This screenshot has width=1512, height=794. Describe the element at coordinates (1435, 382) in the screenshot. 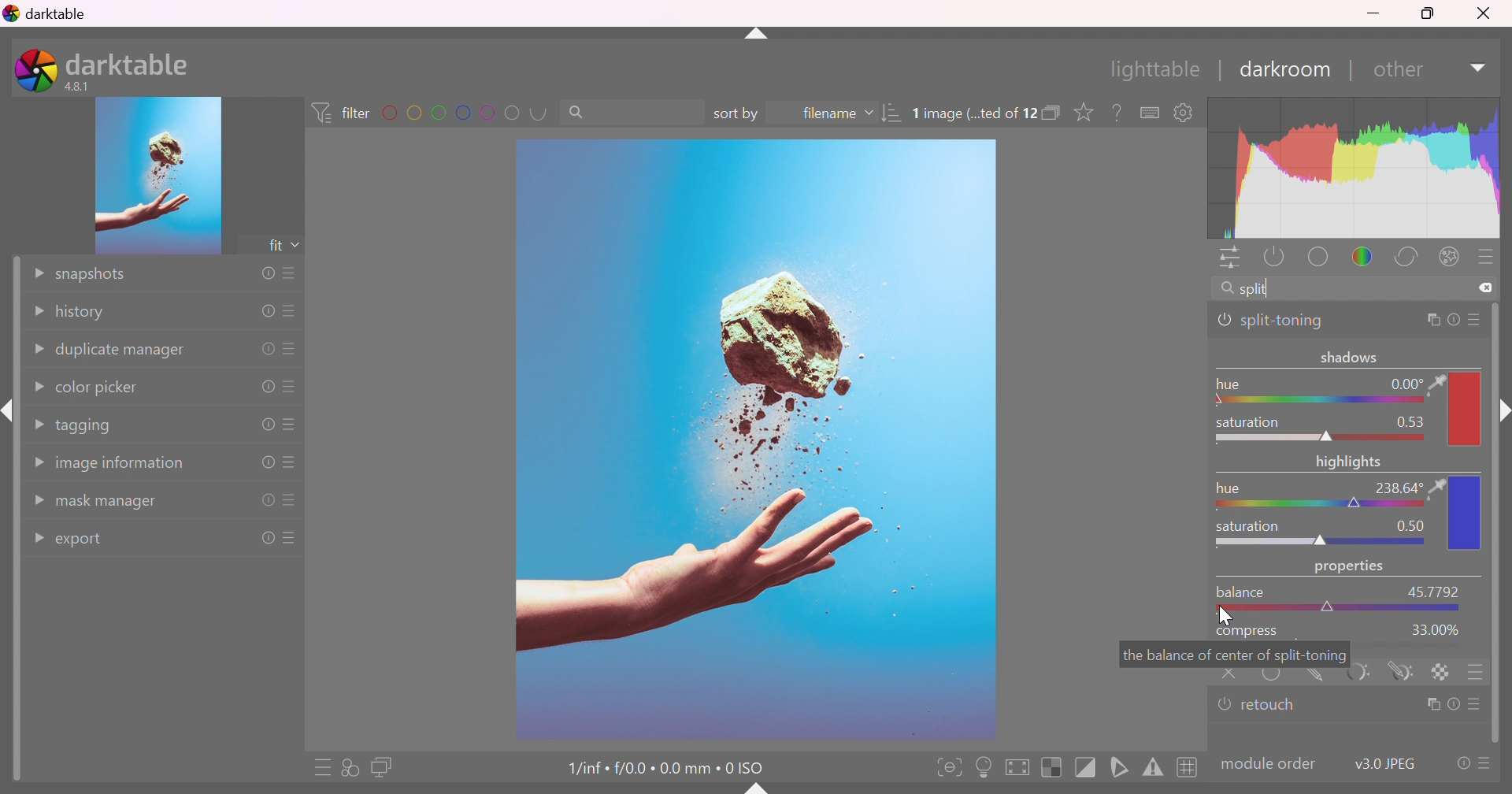

I see `color picker` at that location.